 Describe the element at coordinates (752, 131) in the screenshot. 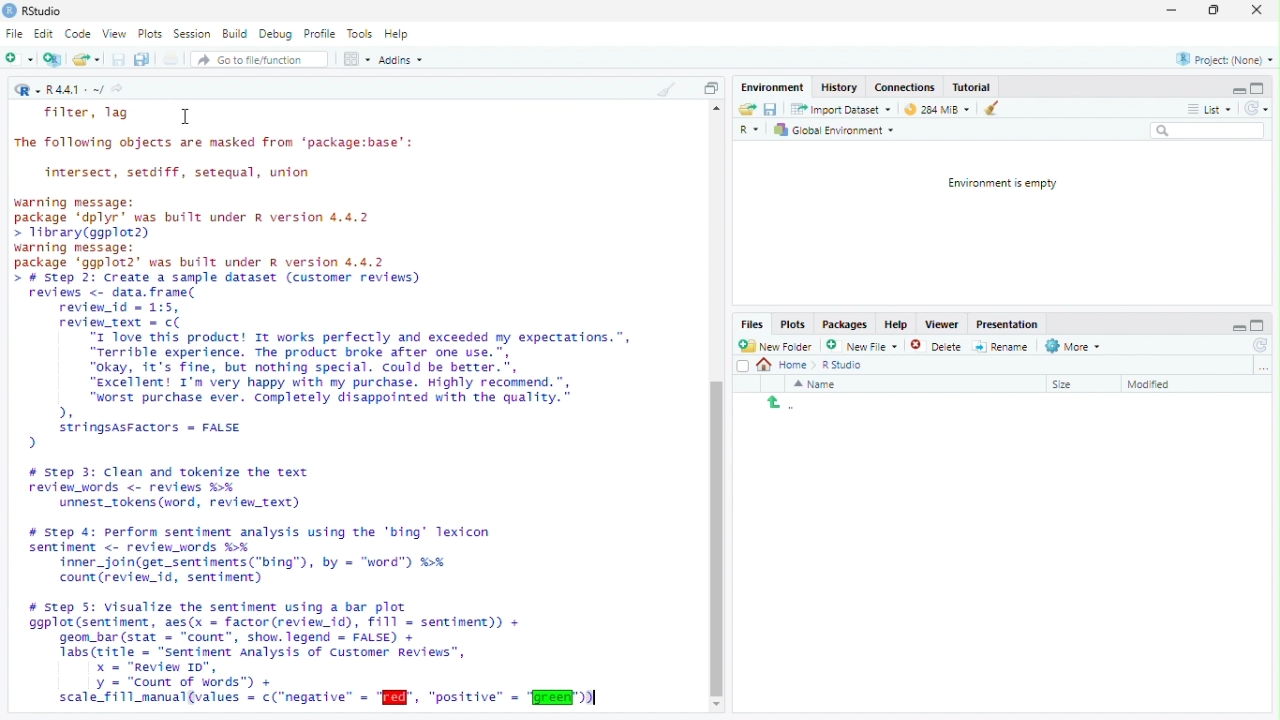

I see `R` at that location.